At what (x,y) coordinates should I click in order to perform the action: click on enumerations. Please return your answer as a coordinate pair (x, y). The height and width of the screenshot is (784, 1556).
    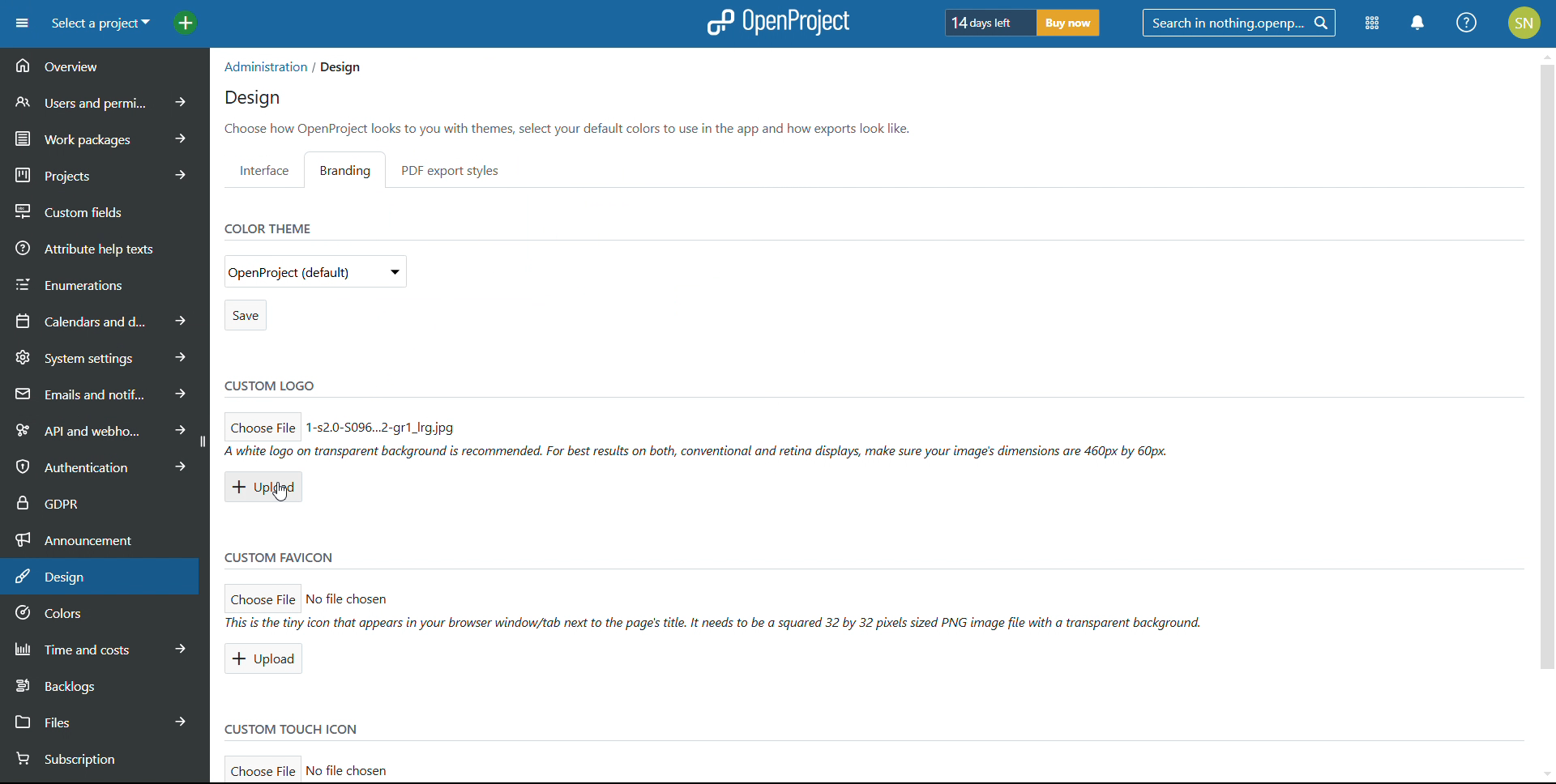
    Looking at the image, I should click on (105, 282).